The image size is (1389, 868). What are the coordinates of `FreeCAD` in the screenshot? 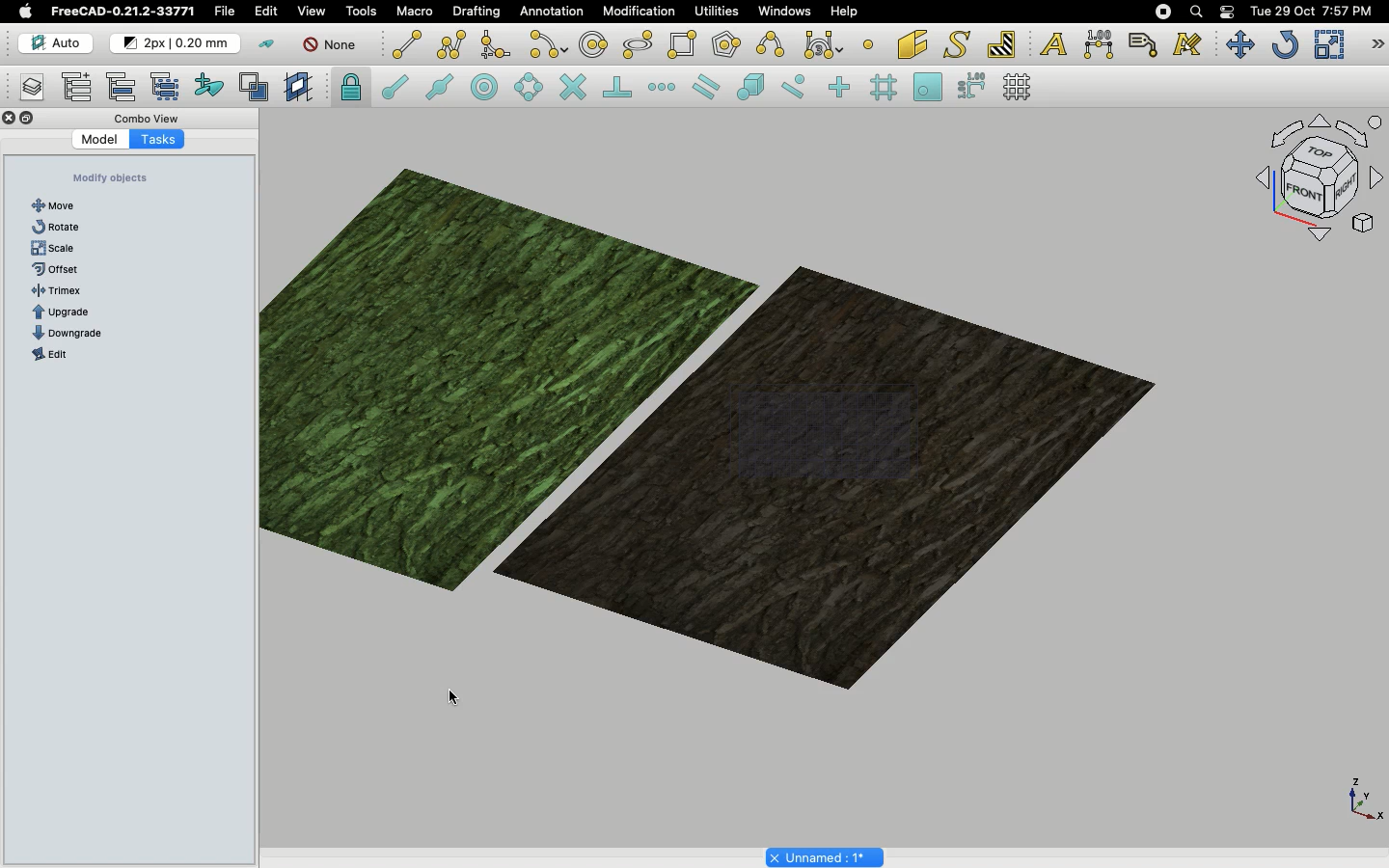 It's located at (124, 12).